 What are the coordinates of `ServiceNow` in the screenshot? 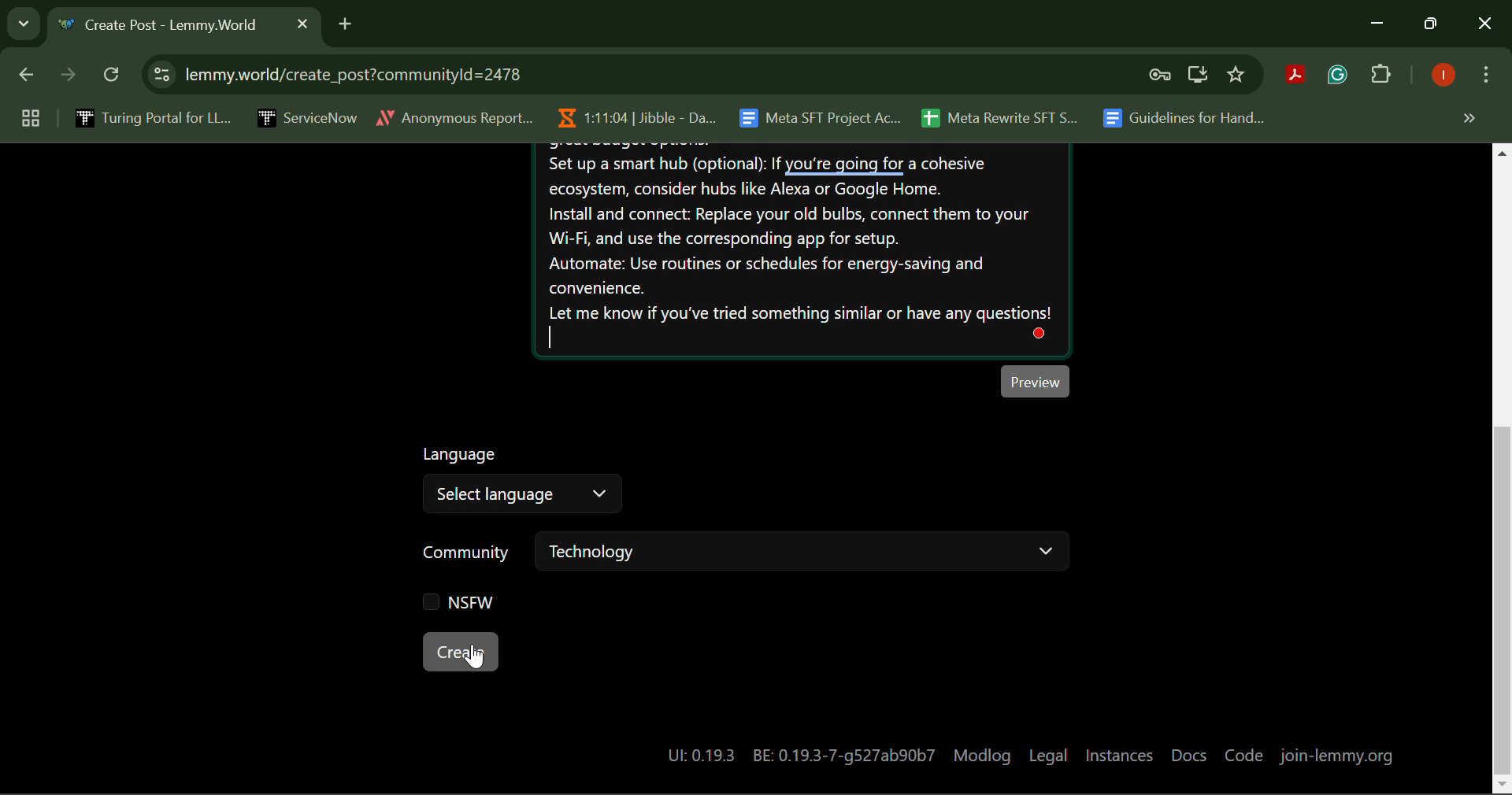 It's located at (306, 116).